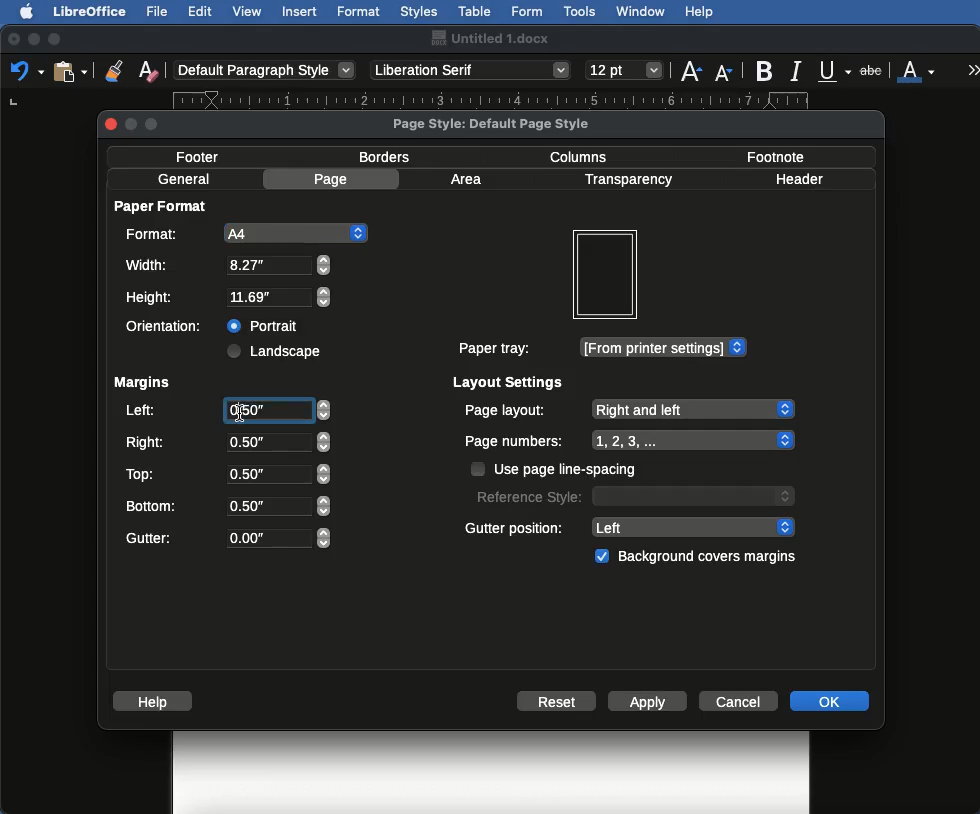 Image resolution: width=980 pixels, height=814 pixels. Describe the element at coordinates (70, 70) in the screenshot. I see `Clipboard` at that location.